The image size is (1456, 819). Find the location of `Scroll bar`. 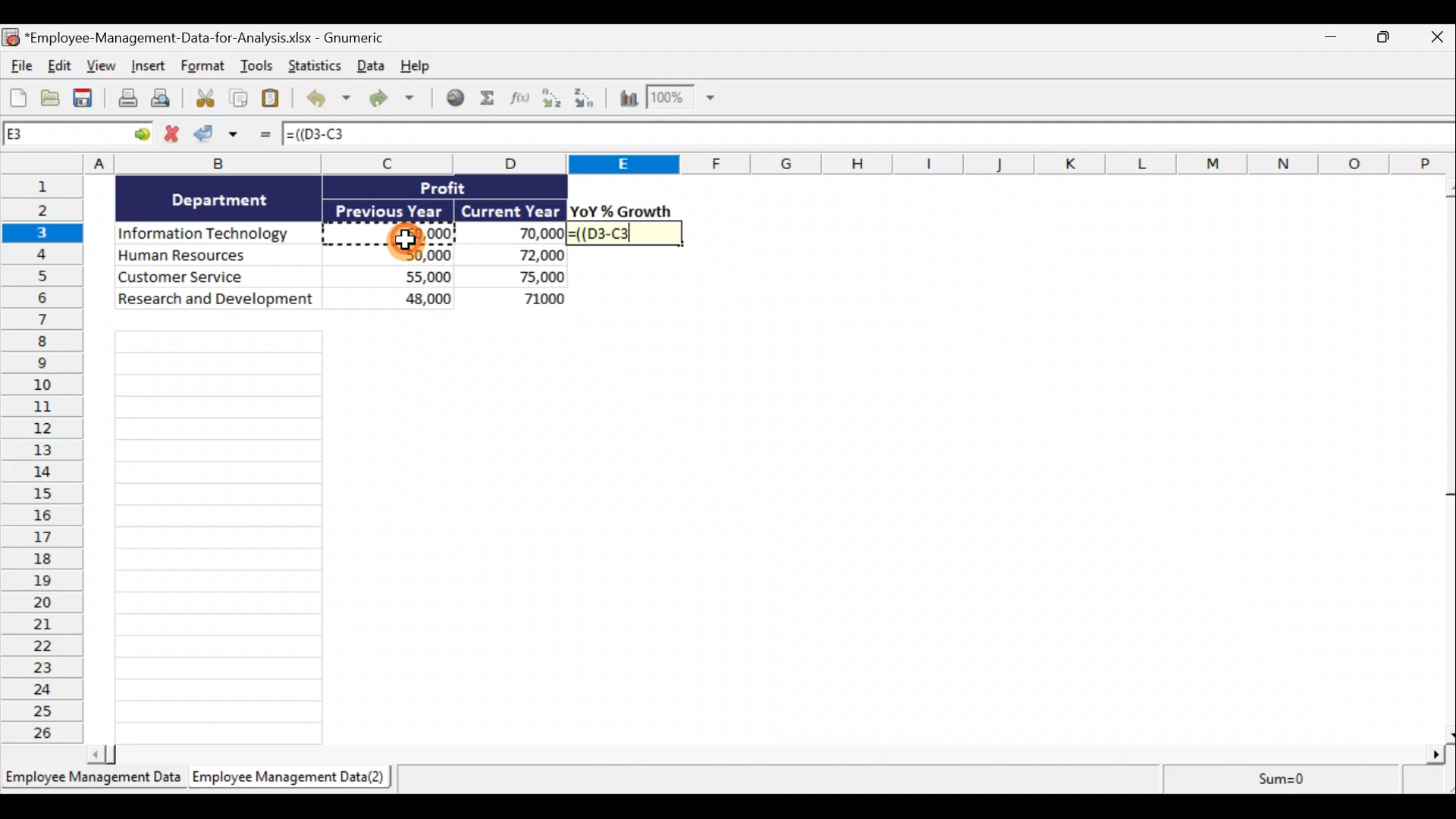

Scroll bar is located at coordinates (1447, 460).